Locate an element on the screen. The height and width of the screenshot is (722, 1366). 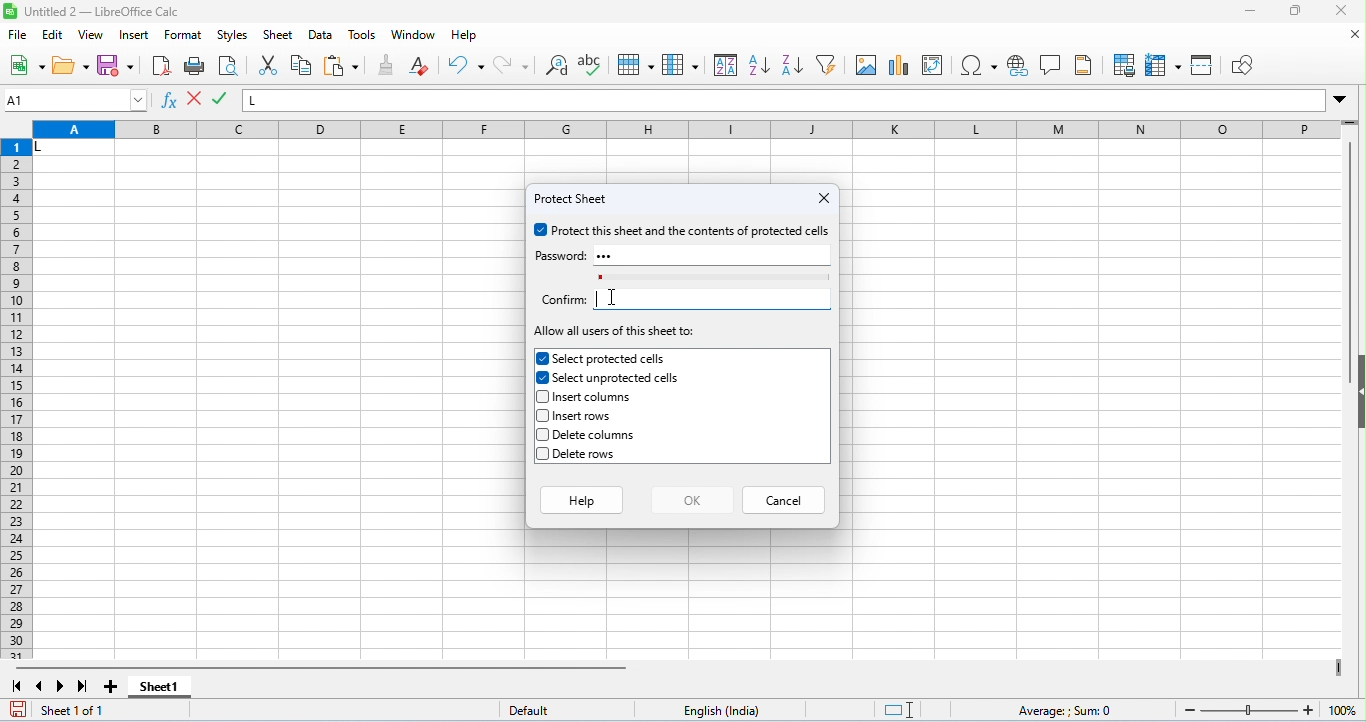
cut is located at coordinates (271, 65).